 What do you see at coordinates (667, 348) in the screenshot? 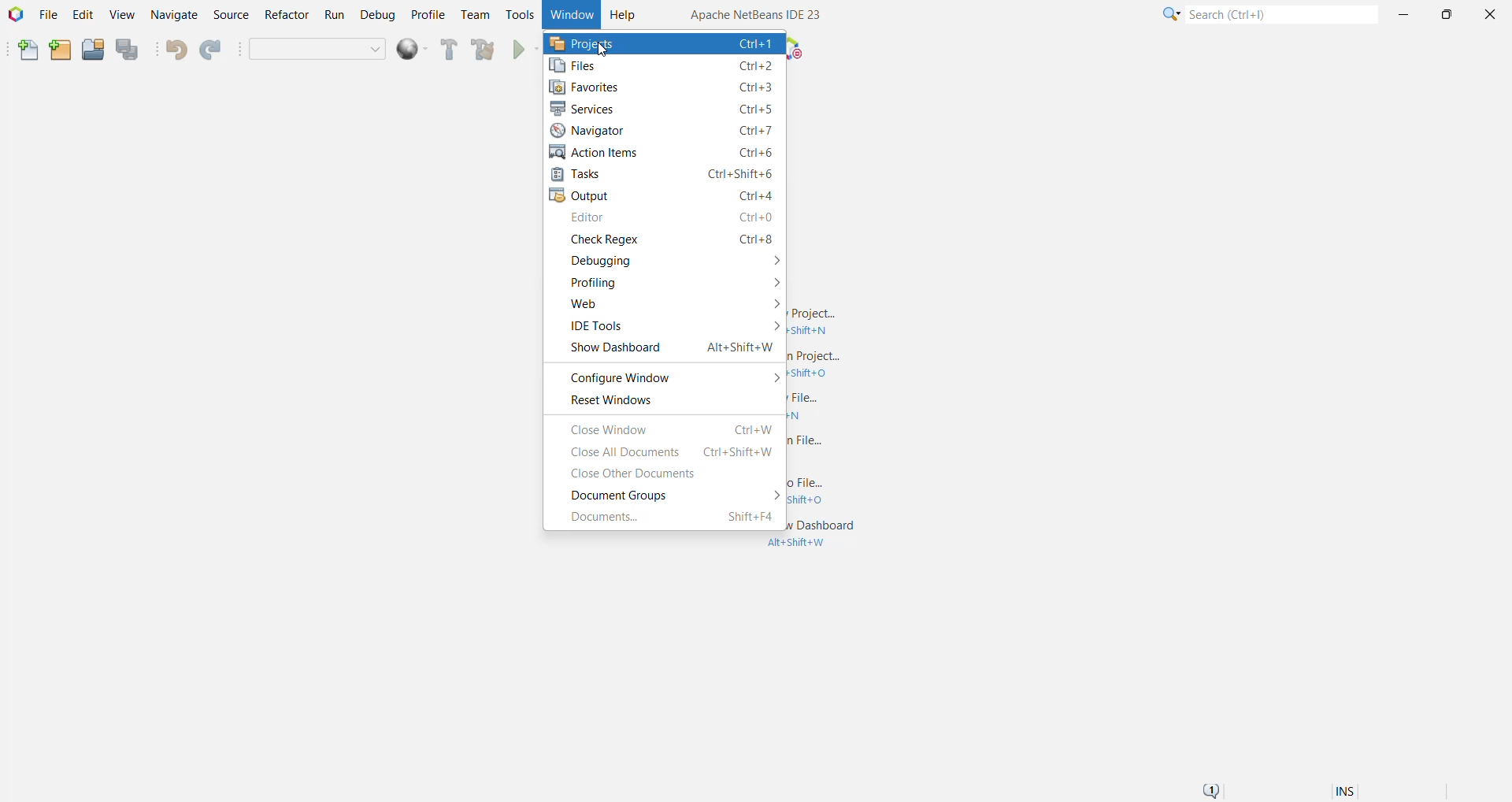
I see `Show Dashboard` at bounding box center [667, 348].